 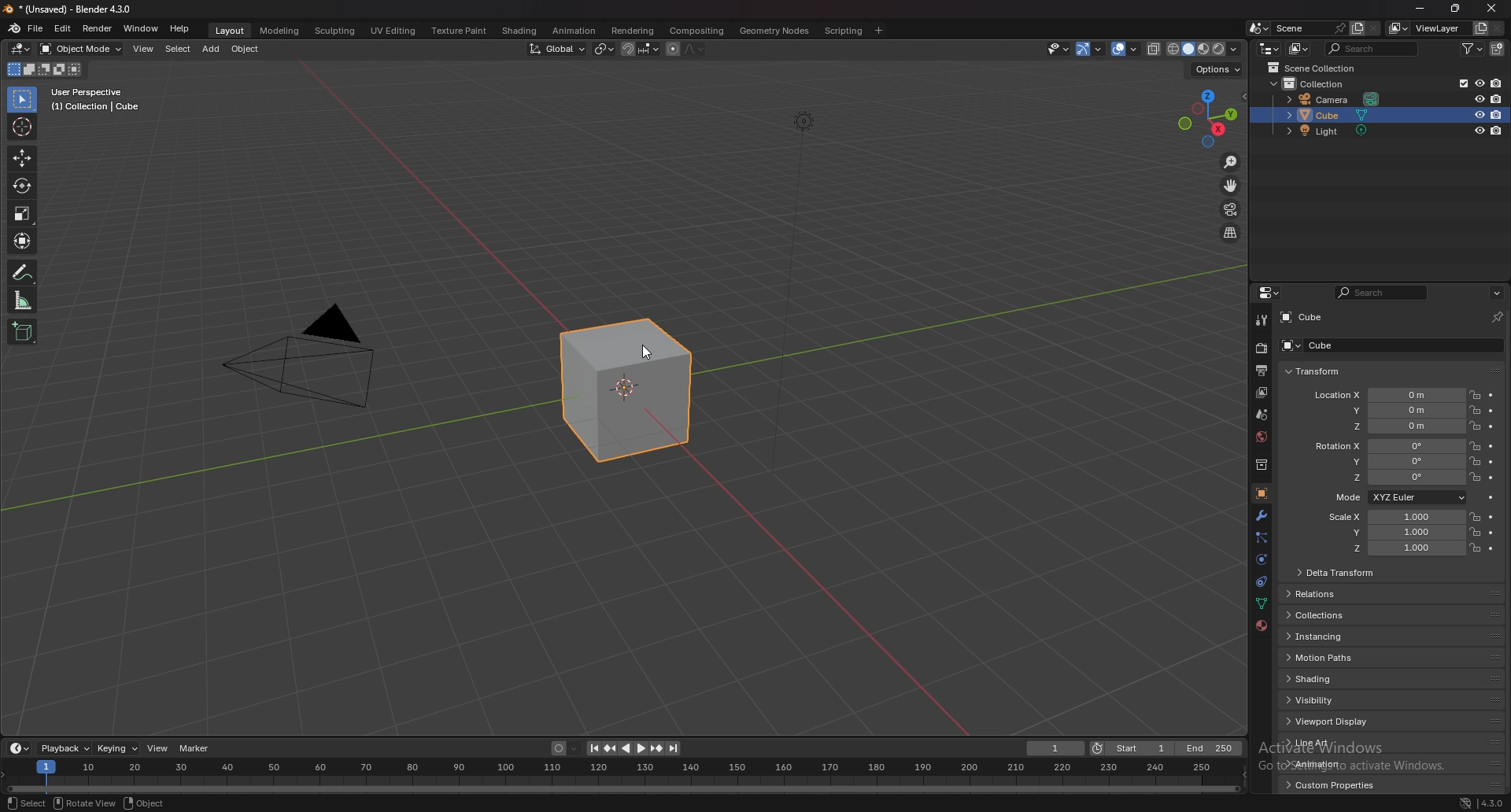 I want to click on window, so click(x=142, y=28).